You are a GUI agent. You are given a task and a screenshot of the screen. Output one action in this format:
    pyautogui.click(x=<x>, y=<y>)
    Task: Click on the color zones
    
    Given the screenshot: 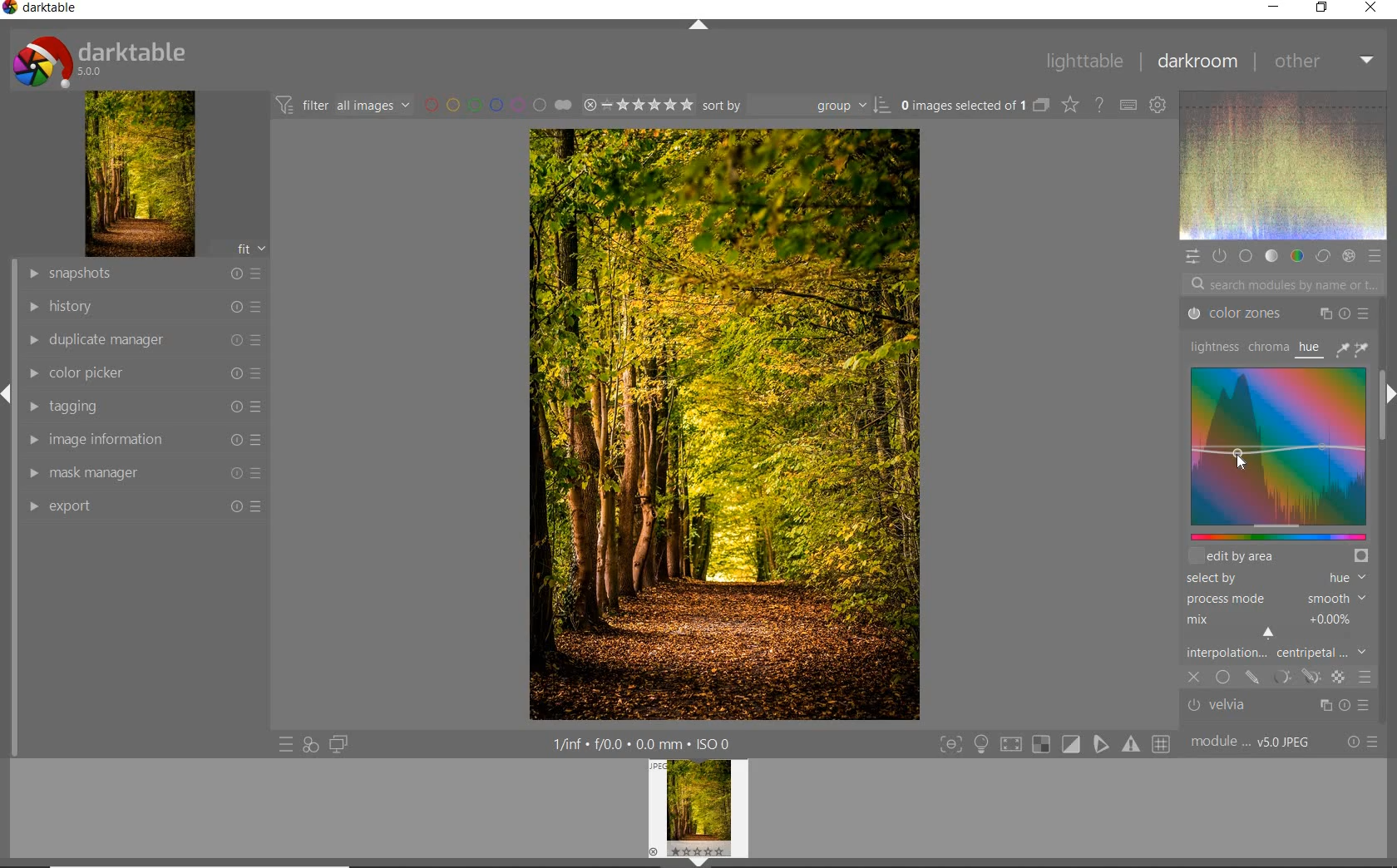 What is the action you would take?
    pyautogui.click(x=1276, y=313)
    